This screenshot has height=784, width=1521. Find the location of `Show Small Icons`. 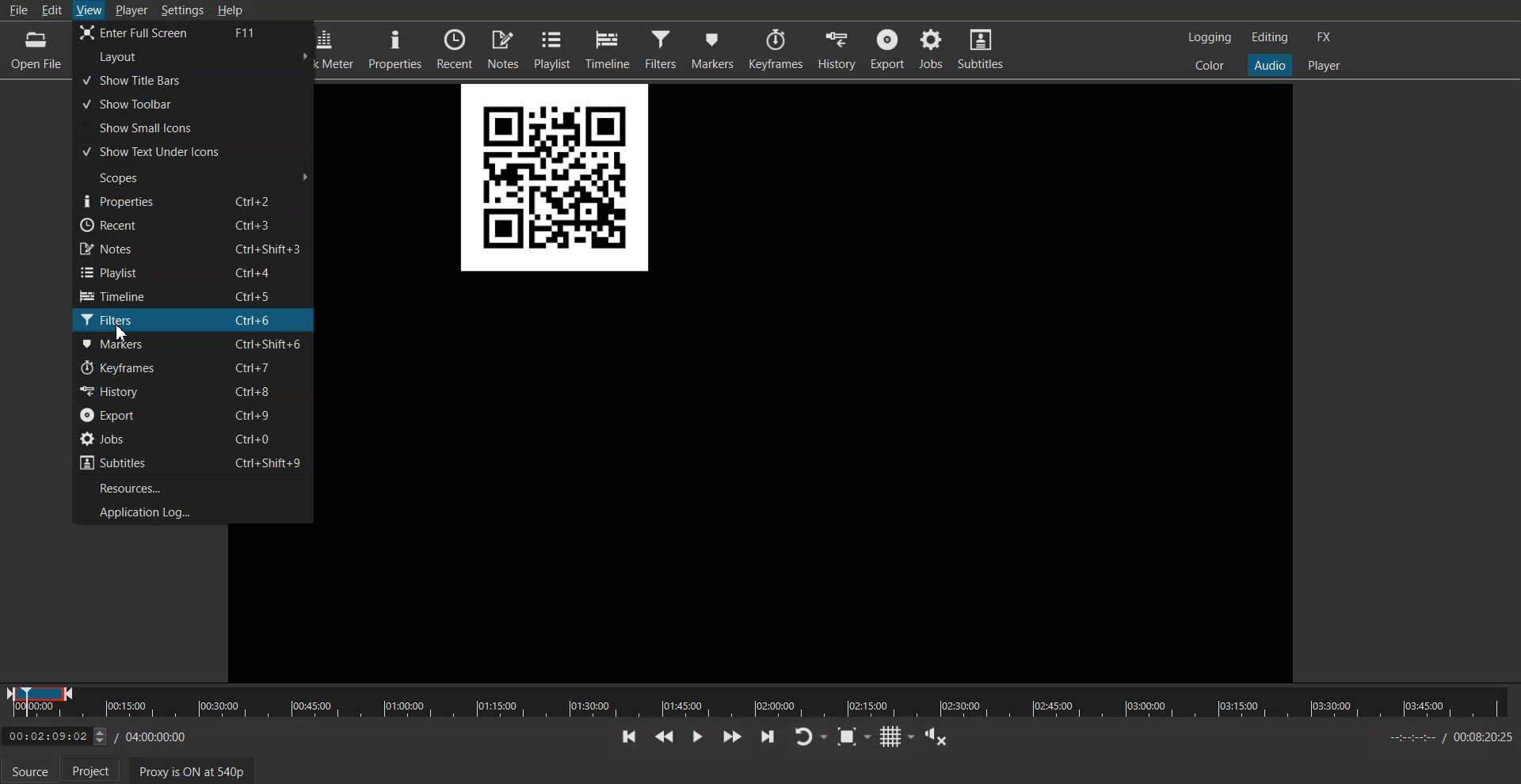

Show Small Icons is located at coordinates (193, 127).